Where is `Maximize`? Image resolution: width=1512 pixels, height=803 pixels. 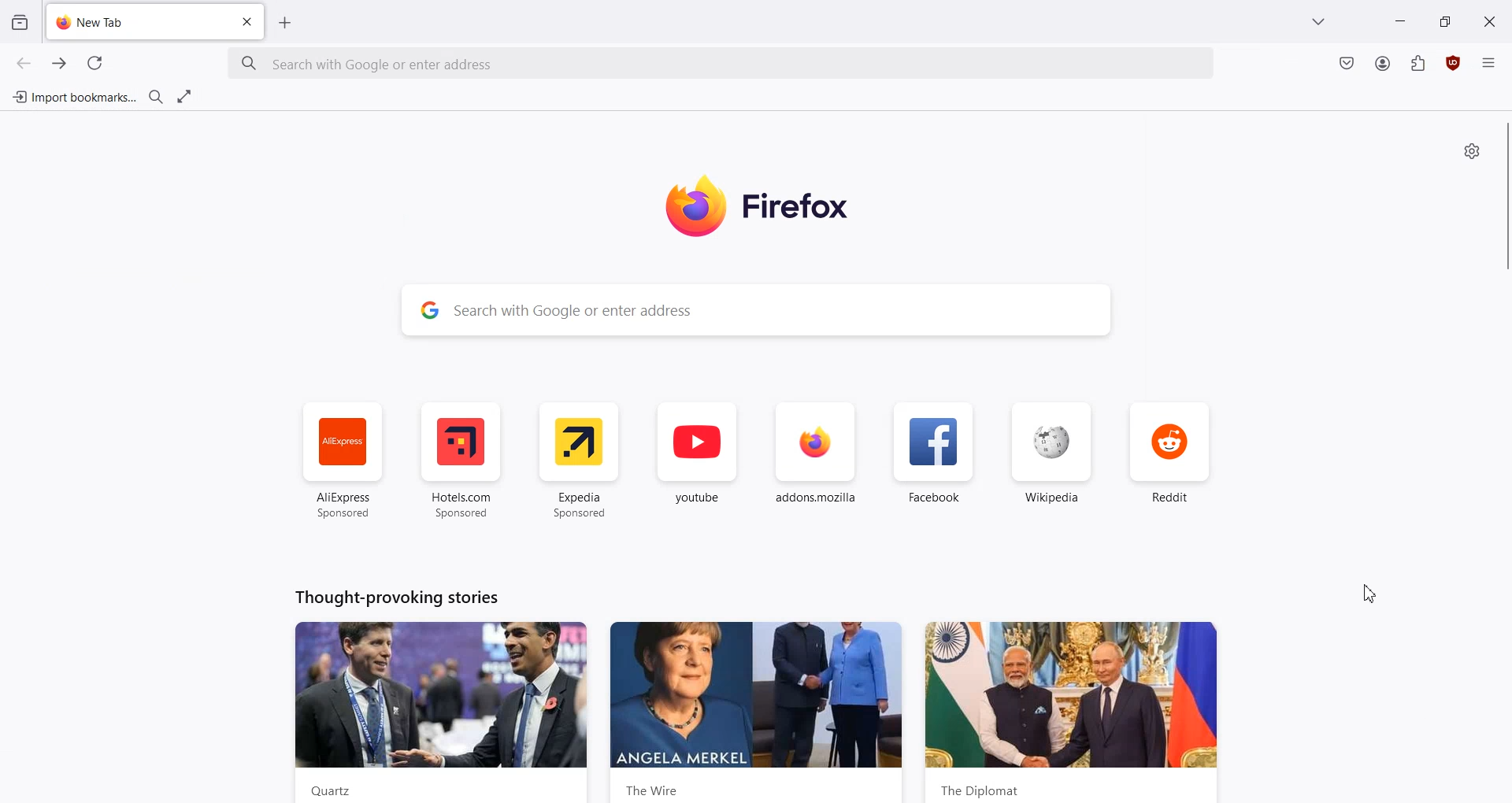
Maximize is located at coordinates (1444, 20).